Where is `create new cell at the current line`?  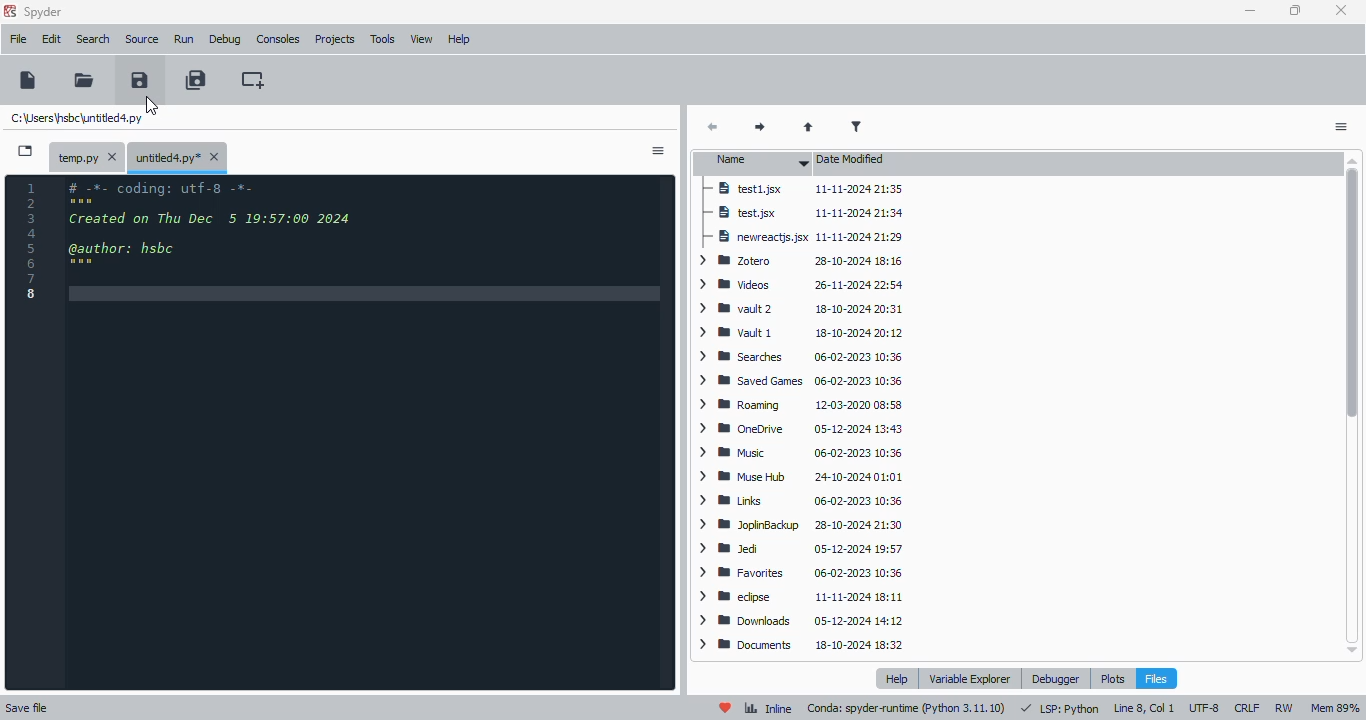
create new cell at the current line is located at coordinates (252, 79).